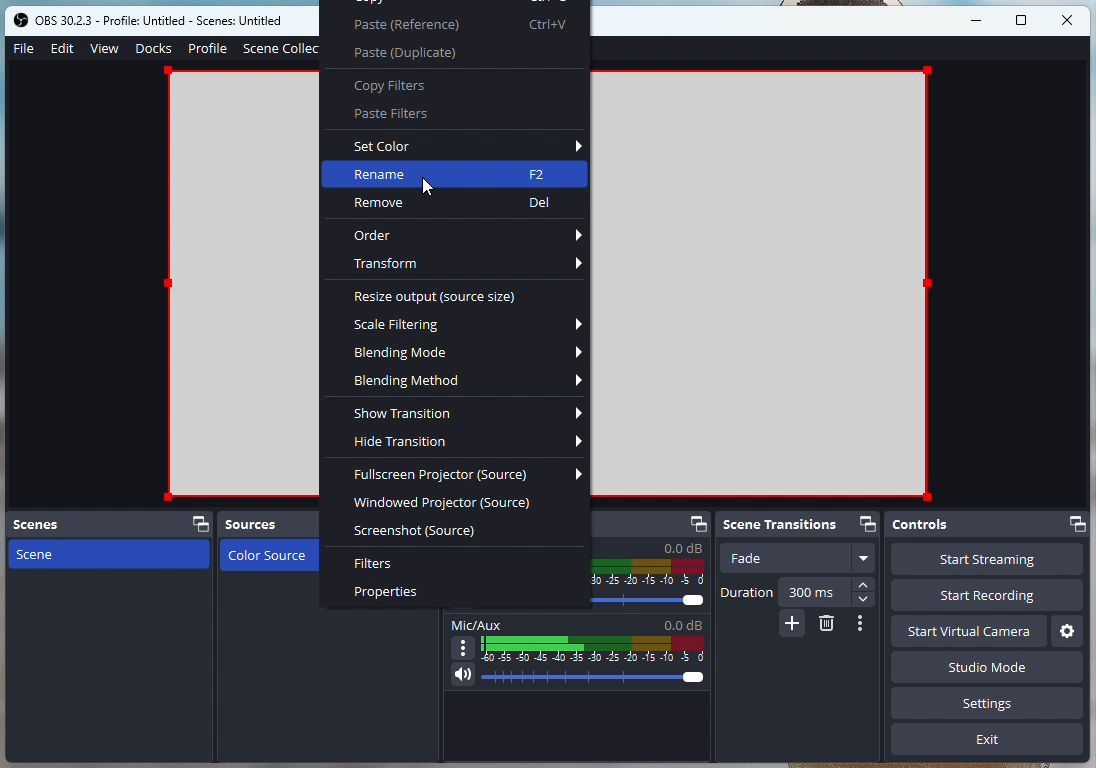 The image size is (1096, 768). I want to click on Scene, so click(105, 554).